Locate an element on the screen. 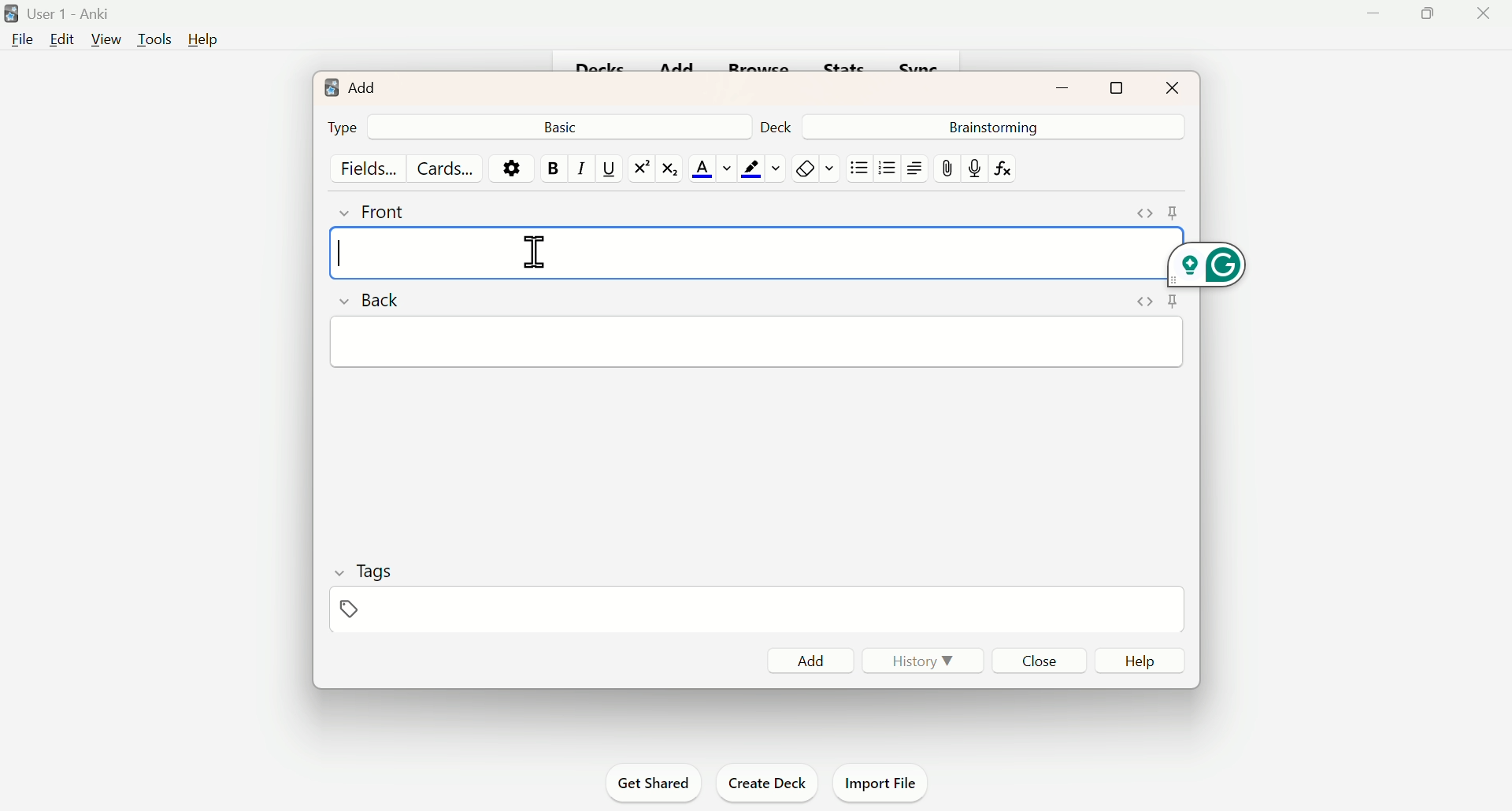 Image resolution: width=1512 pixels, height=811 pixels. Deck is located at coordinates (782, 124).